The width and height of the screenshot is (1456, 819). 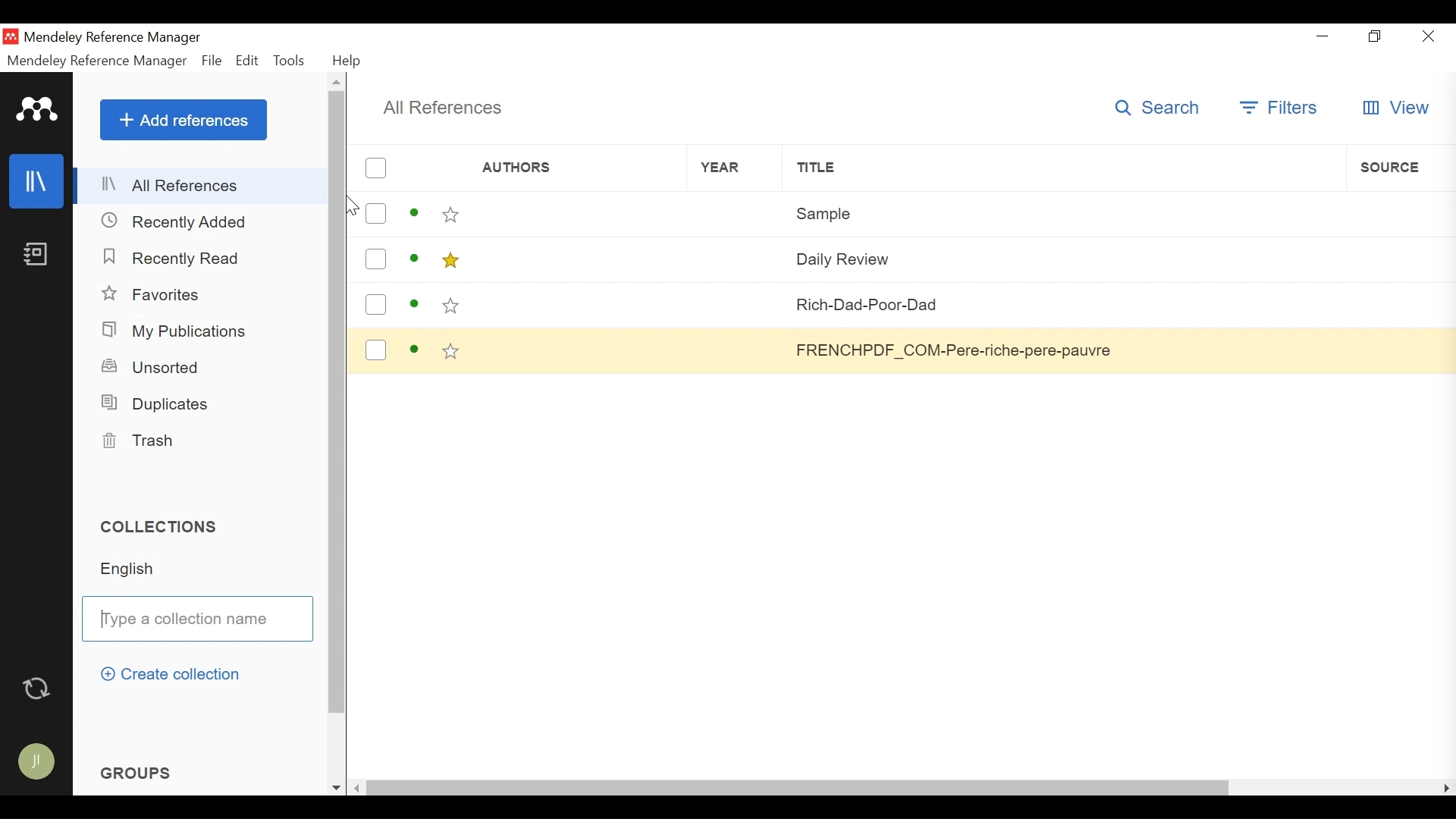 What do you see at coordinates (1395, 350) in the screenshot?
I see `Source` at bounding box center [1395, 350].